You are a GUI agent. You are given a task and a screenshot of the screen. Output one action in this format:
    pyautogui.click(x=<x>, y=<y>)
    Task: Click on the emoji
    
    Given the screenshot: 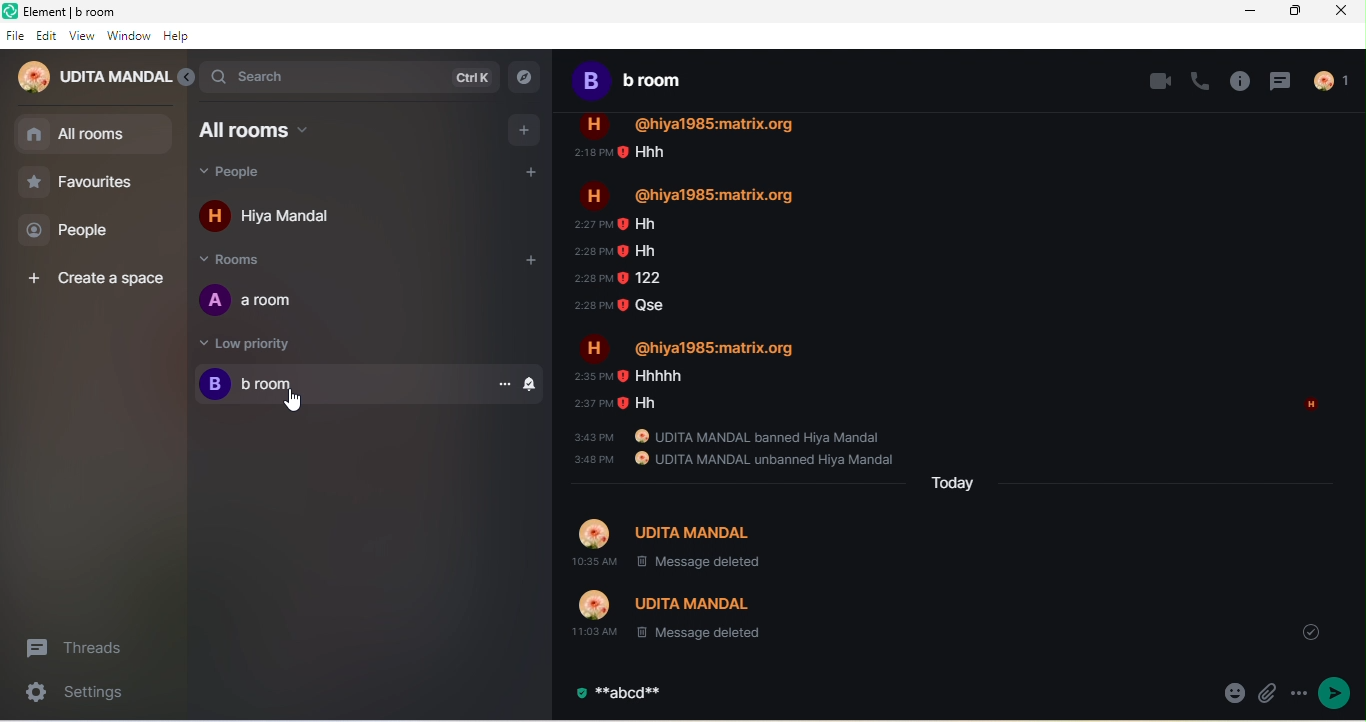 What is the action you would take?
    pyautogui.click(x=1231, y=696)
    